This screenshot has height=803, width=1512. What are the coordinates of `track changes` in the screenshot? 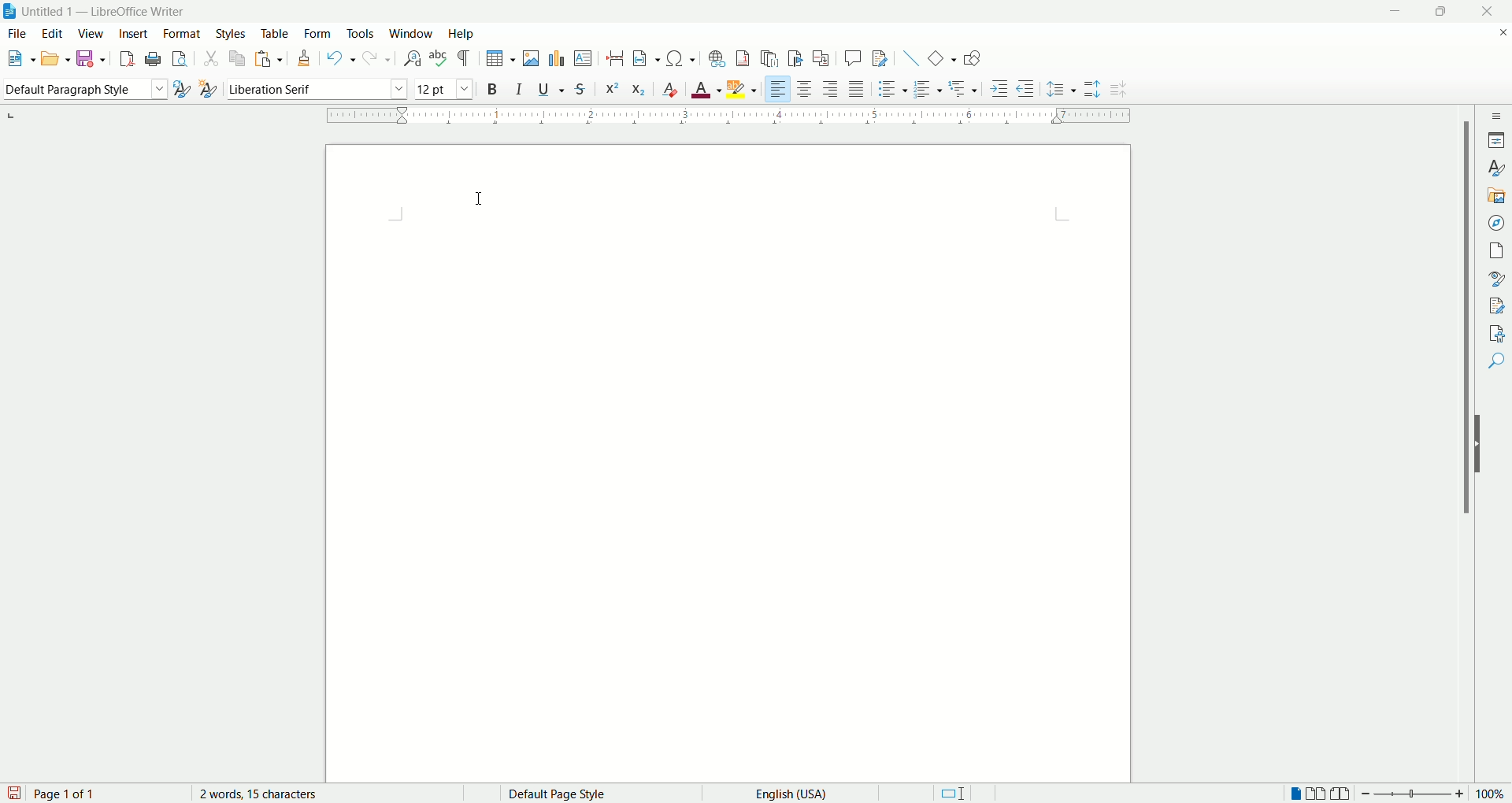 It's located at (879, 59).